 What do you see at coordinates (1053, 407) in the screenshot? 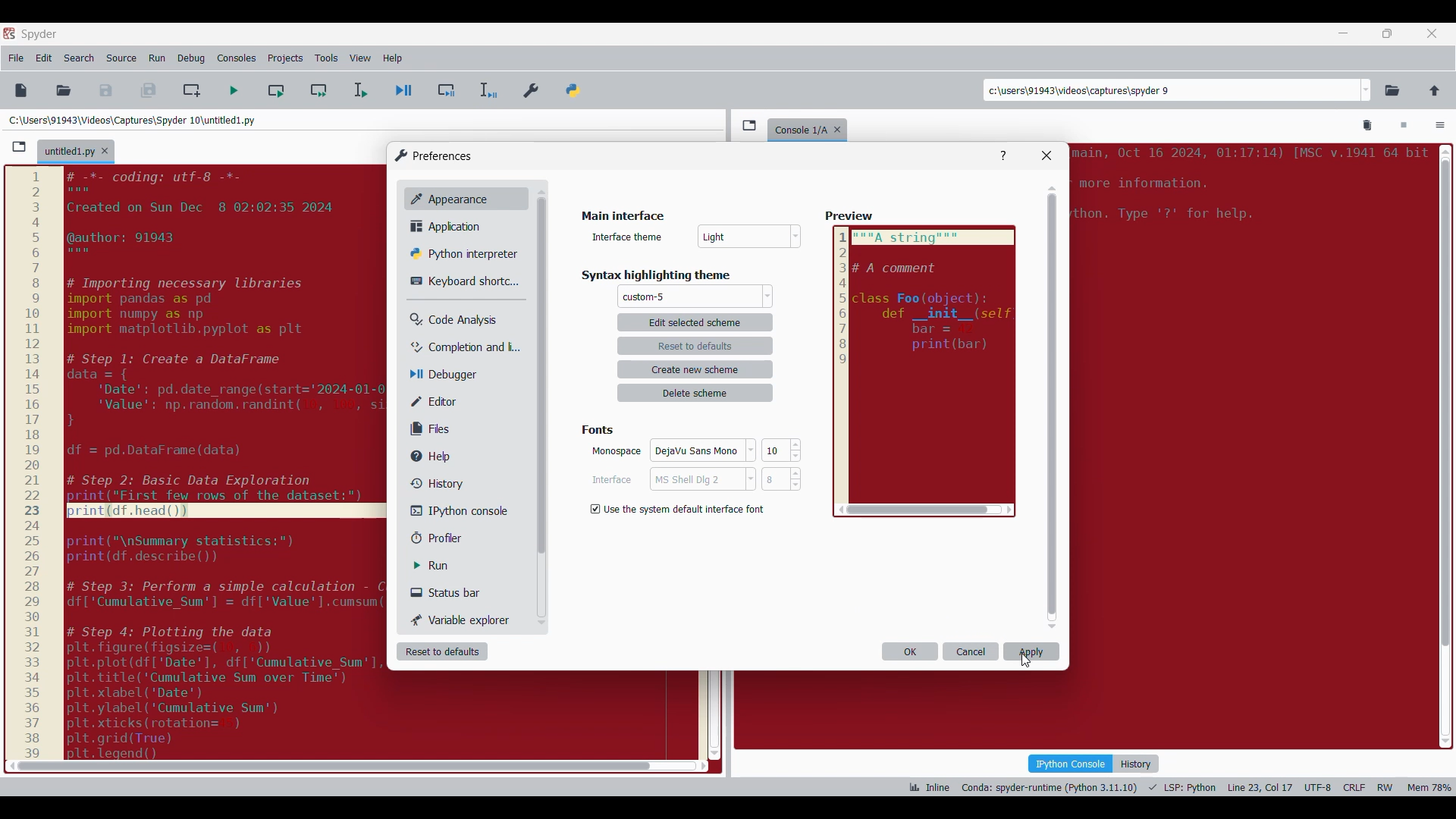
I see `Vertical slide bar` at bounding box center [1053, 407].